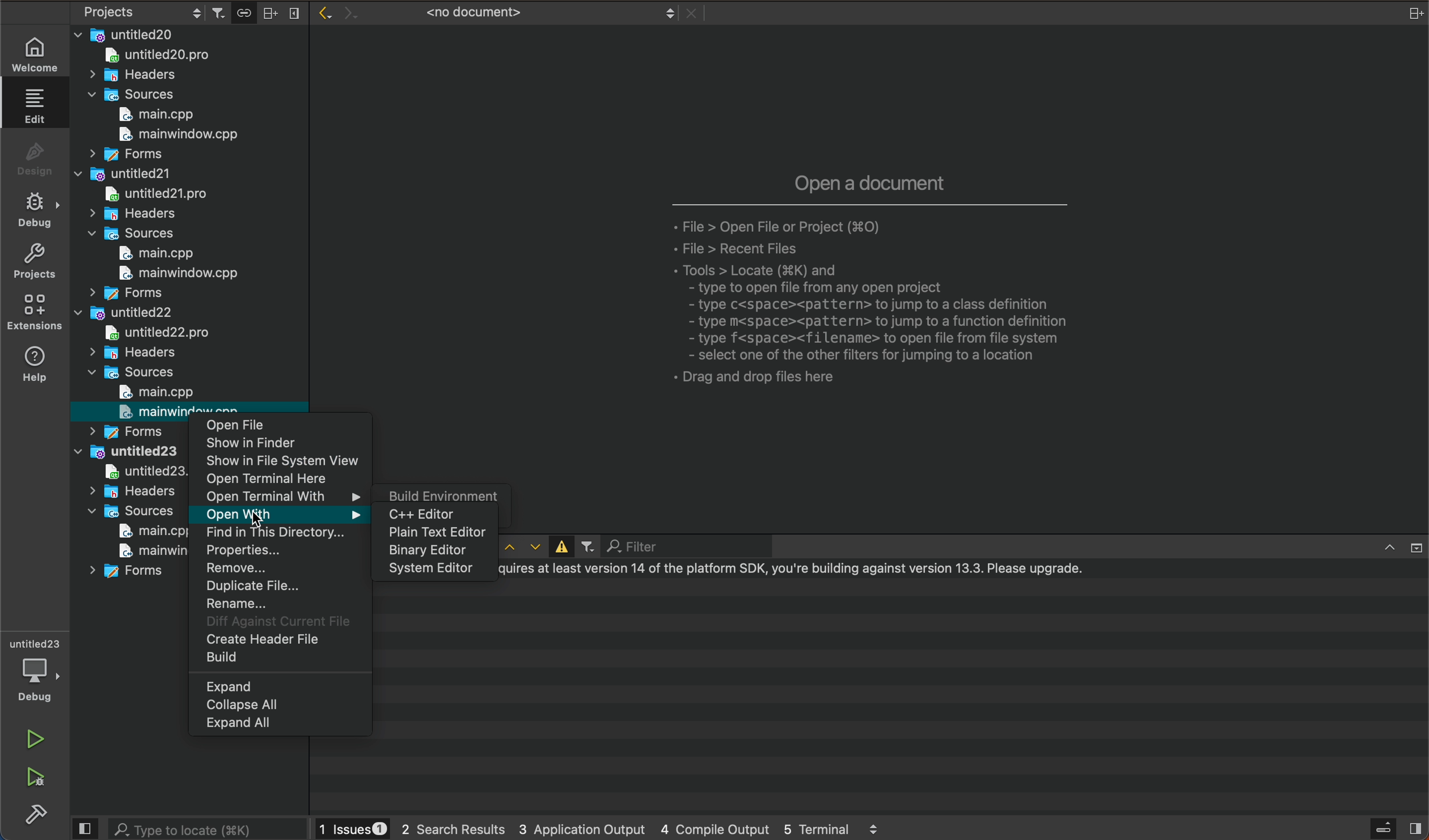 Image resolution: width=1429 pixels, height=840 pixels. What do you see at coordinates (136, 95) in the screenshot?
I see `sources` at bounding box center [136, 95].